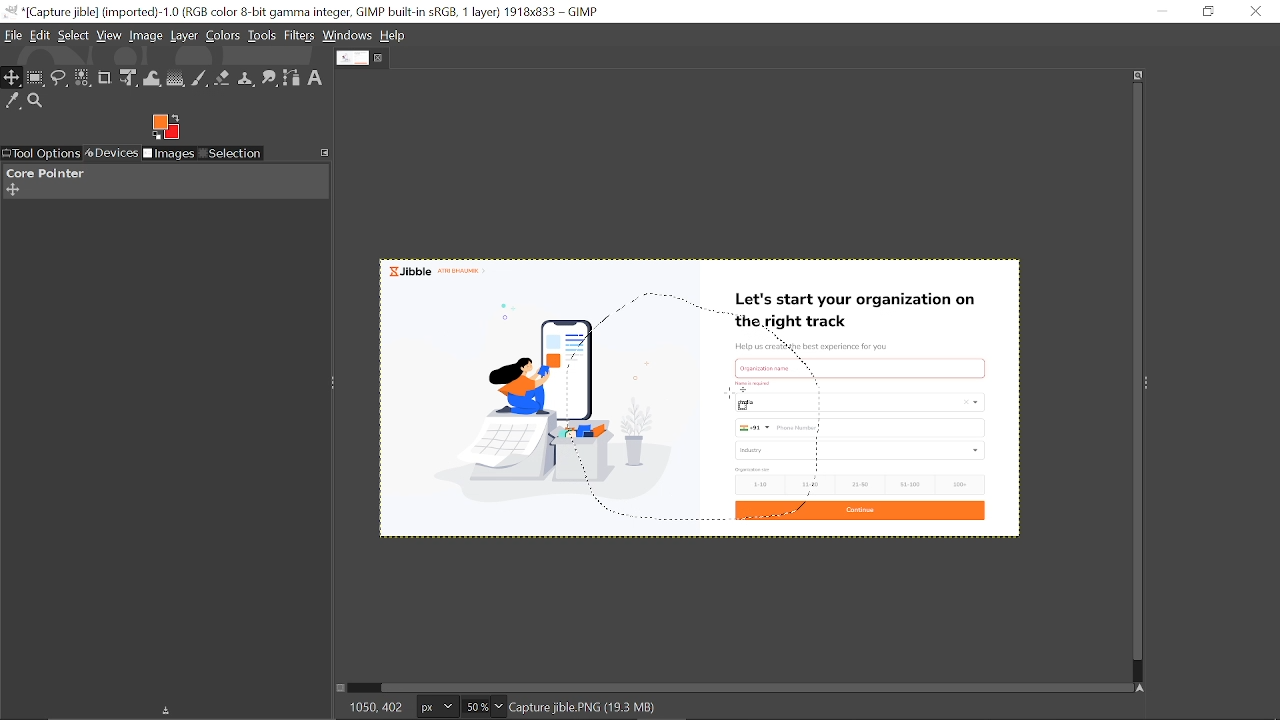 This screenshot has height=720, width=1280. Describe the element at coordinates (41, 37) in the screenshot. I see `Edit` at that location.